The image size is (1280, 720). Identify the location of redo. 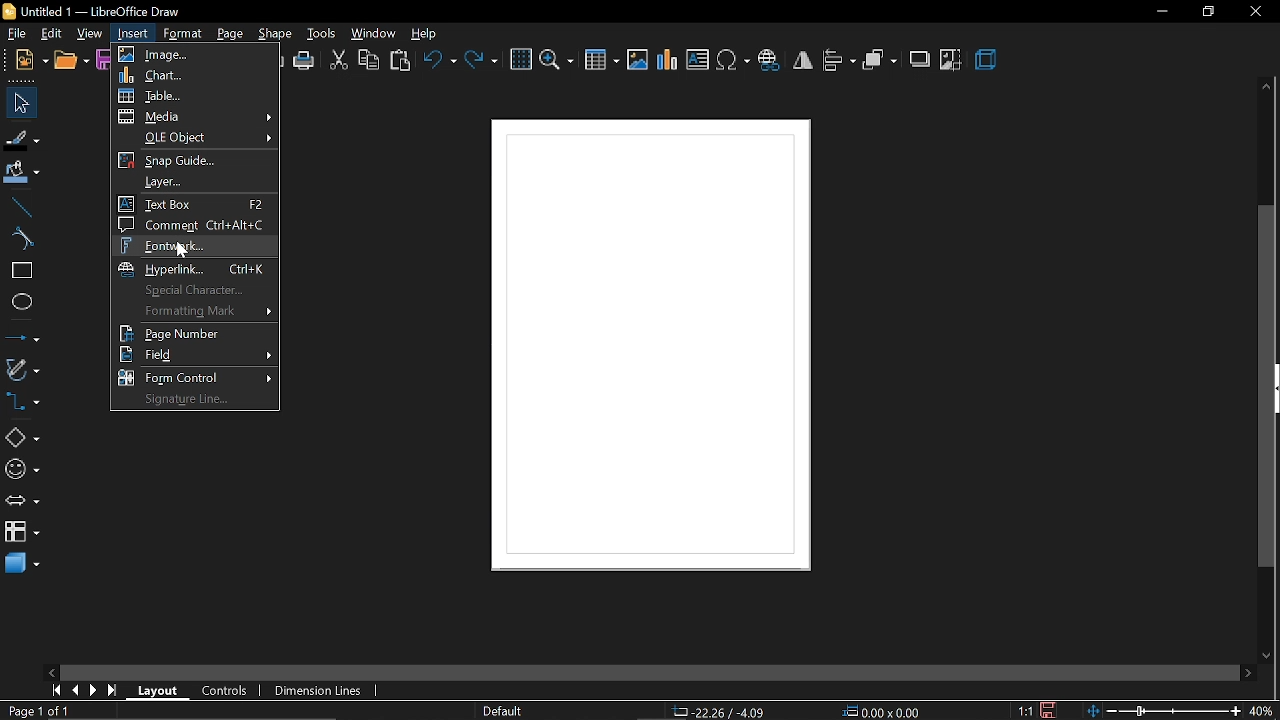
(482, 62).